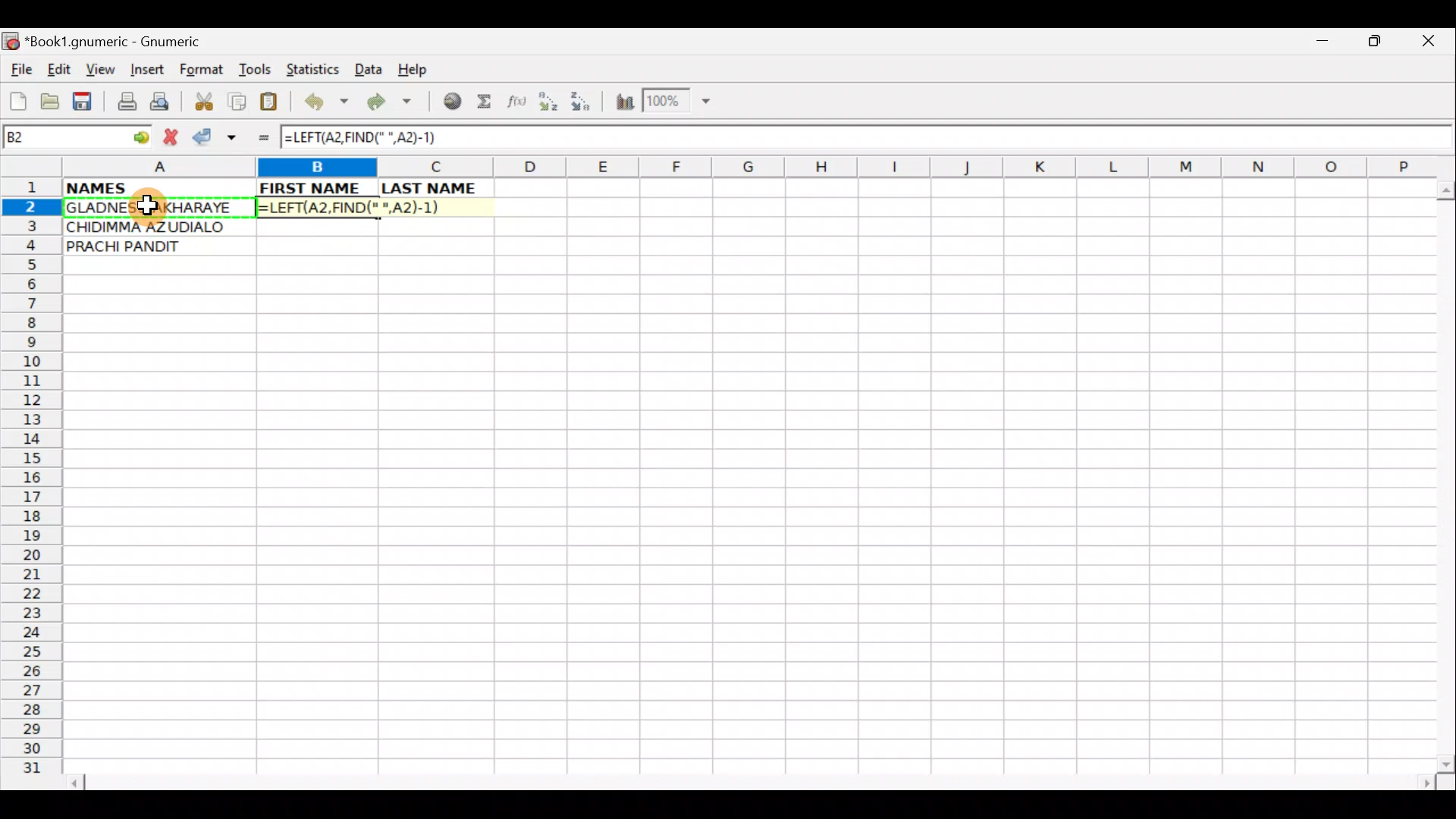 The width and height of the screenshot is (1456, 819). I want to click on Sum in the current cell, so click(489, 102).